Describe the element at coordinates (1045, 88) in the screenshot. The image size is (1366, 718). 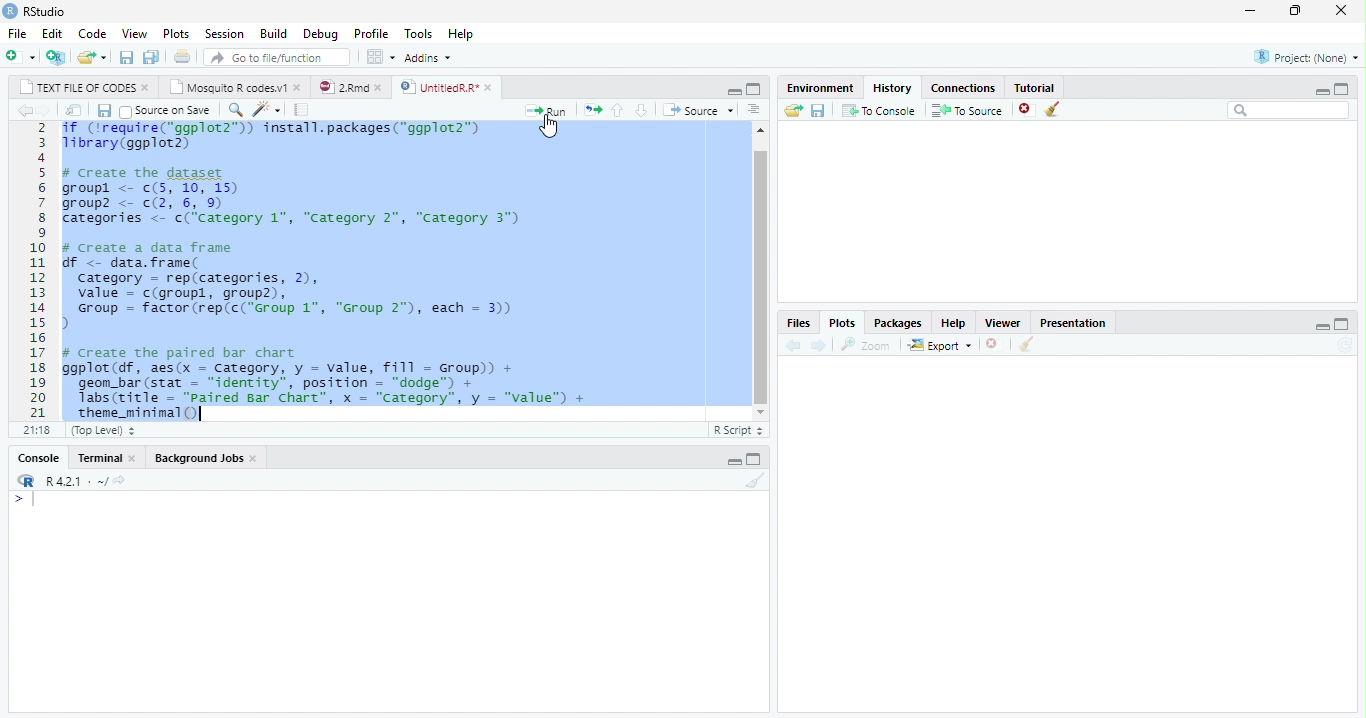
I see `tutorial` at that location.